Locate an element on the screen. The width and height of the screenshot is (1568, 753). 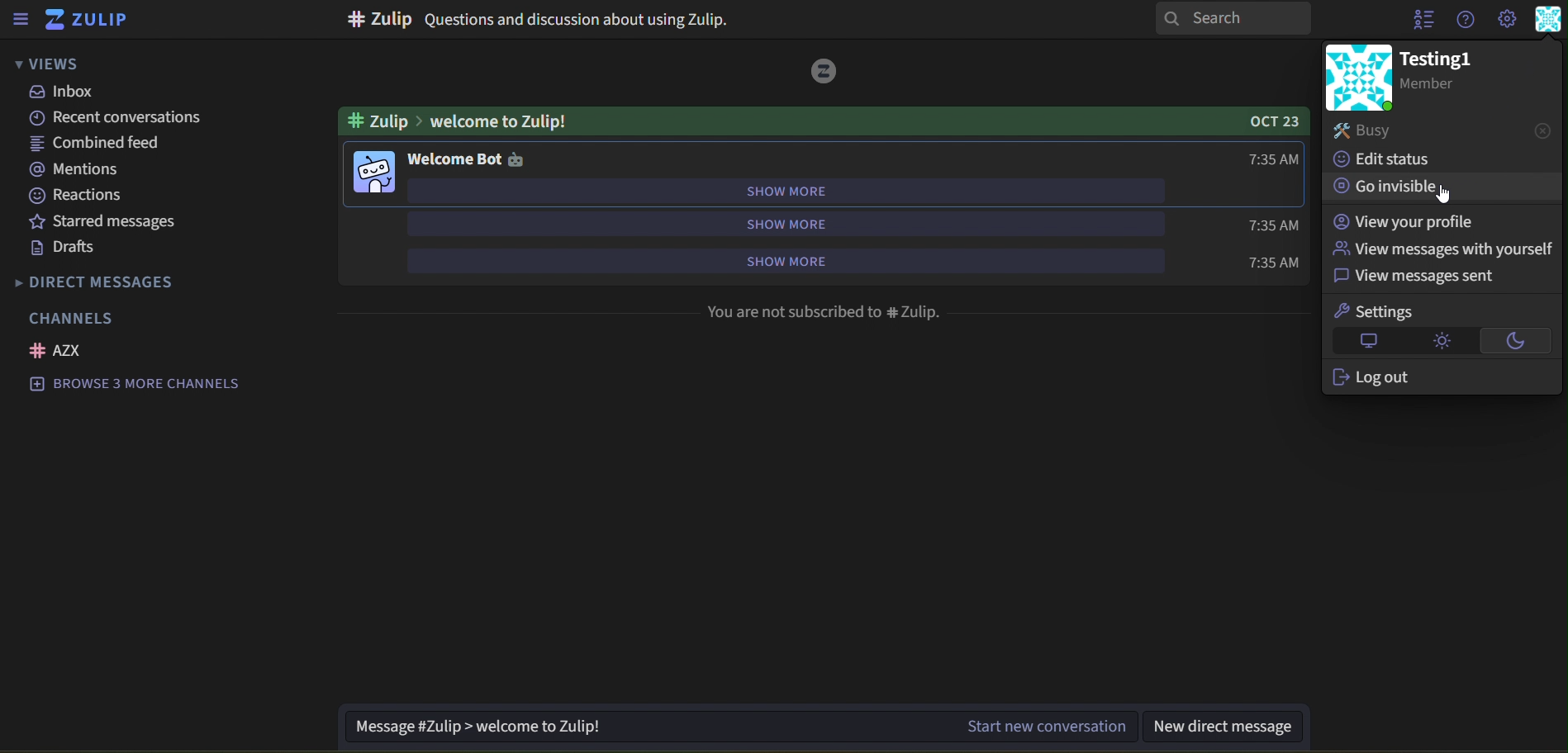
Testing1 is located at coordinates (1438, 71).